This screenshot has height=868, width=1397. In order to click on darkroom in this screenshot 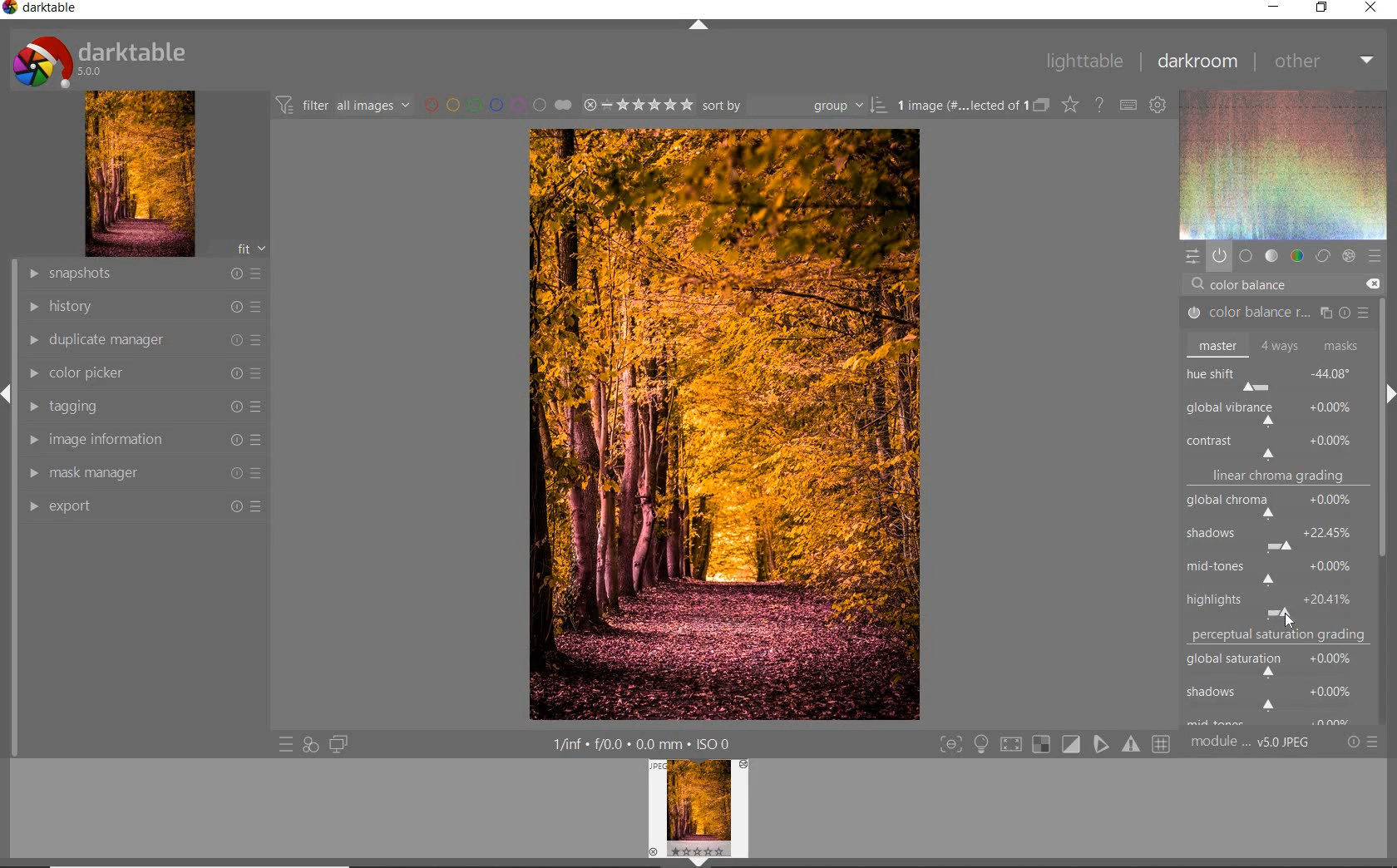, I will do `click(1198, 61)`.